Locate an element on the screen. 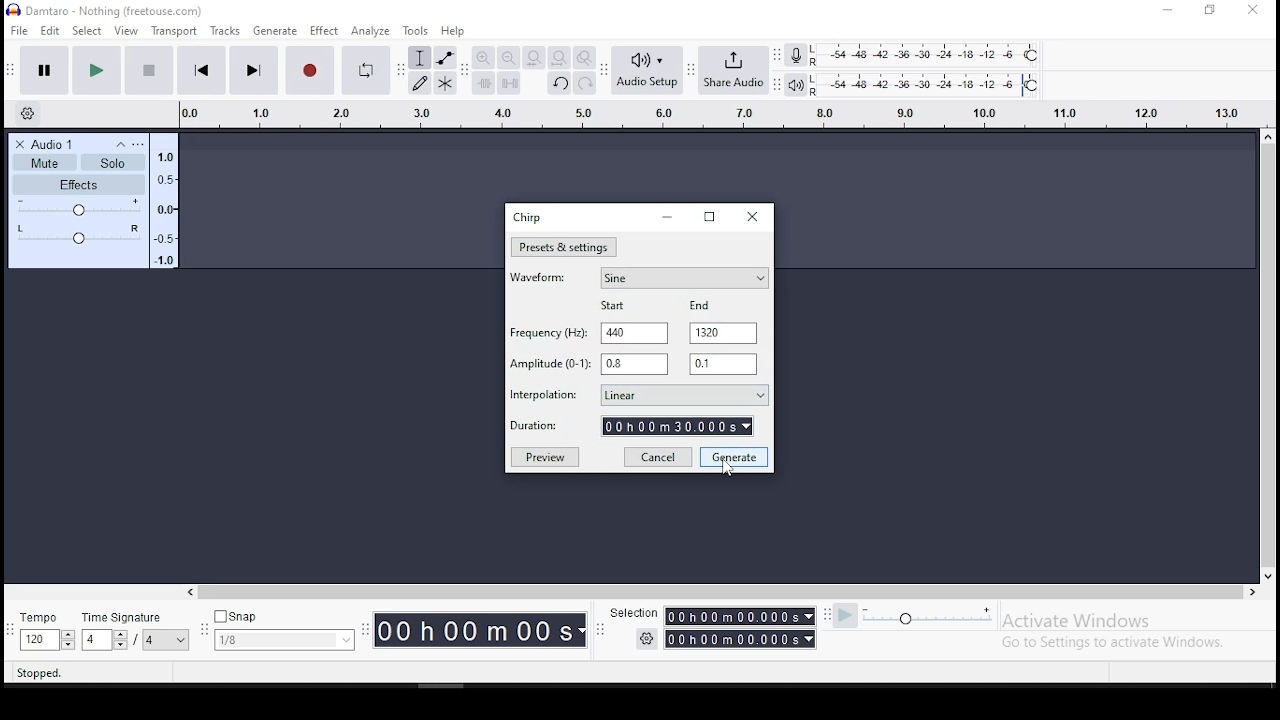 The height and width of the screenshot is (720, 1280). open menu is located at coordinates (138, 144).